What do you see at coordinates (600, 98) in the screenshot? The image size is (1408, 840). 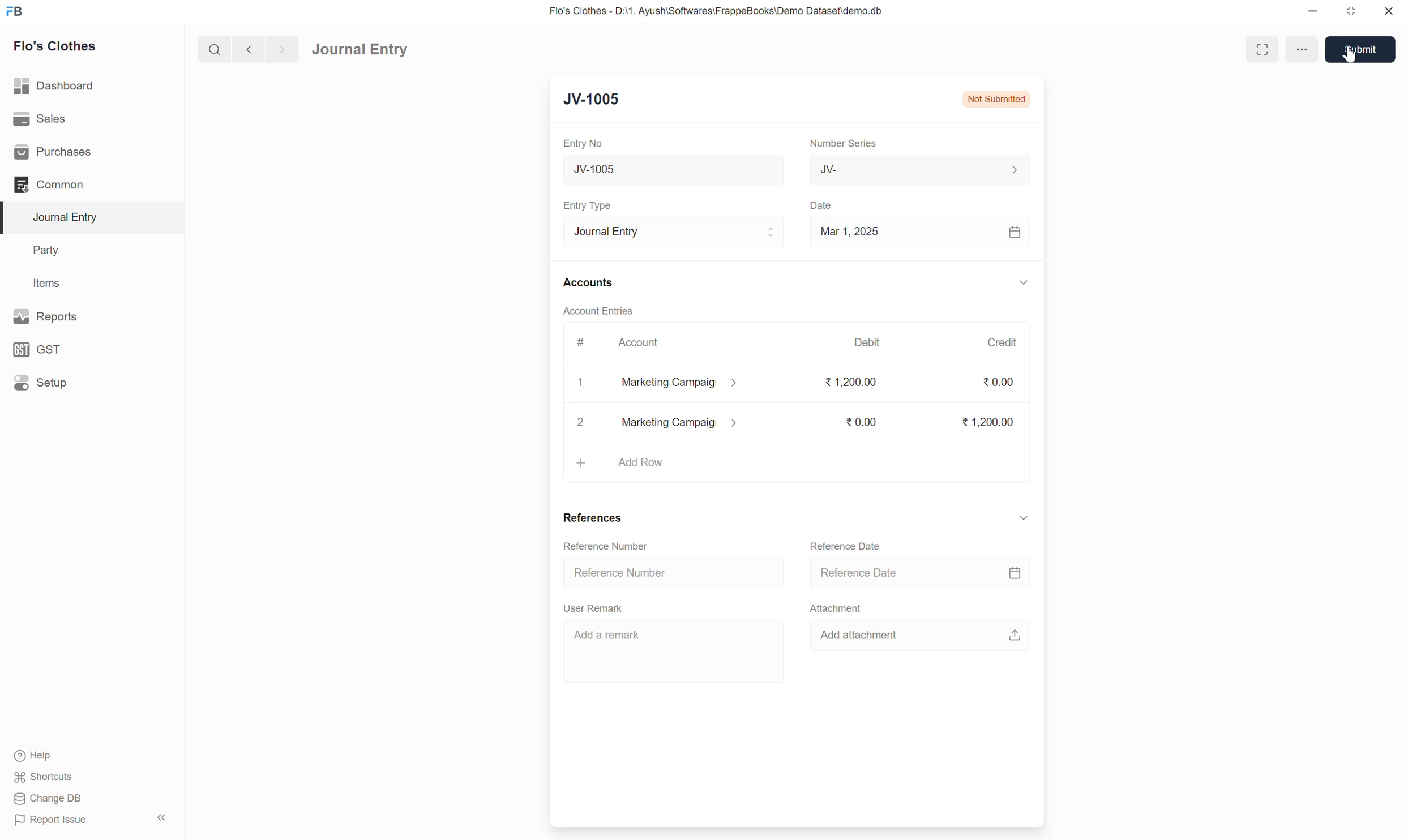 I see `New Entry` at bounding box center [600, 98].